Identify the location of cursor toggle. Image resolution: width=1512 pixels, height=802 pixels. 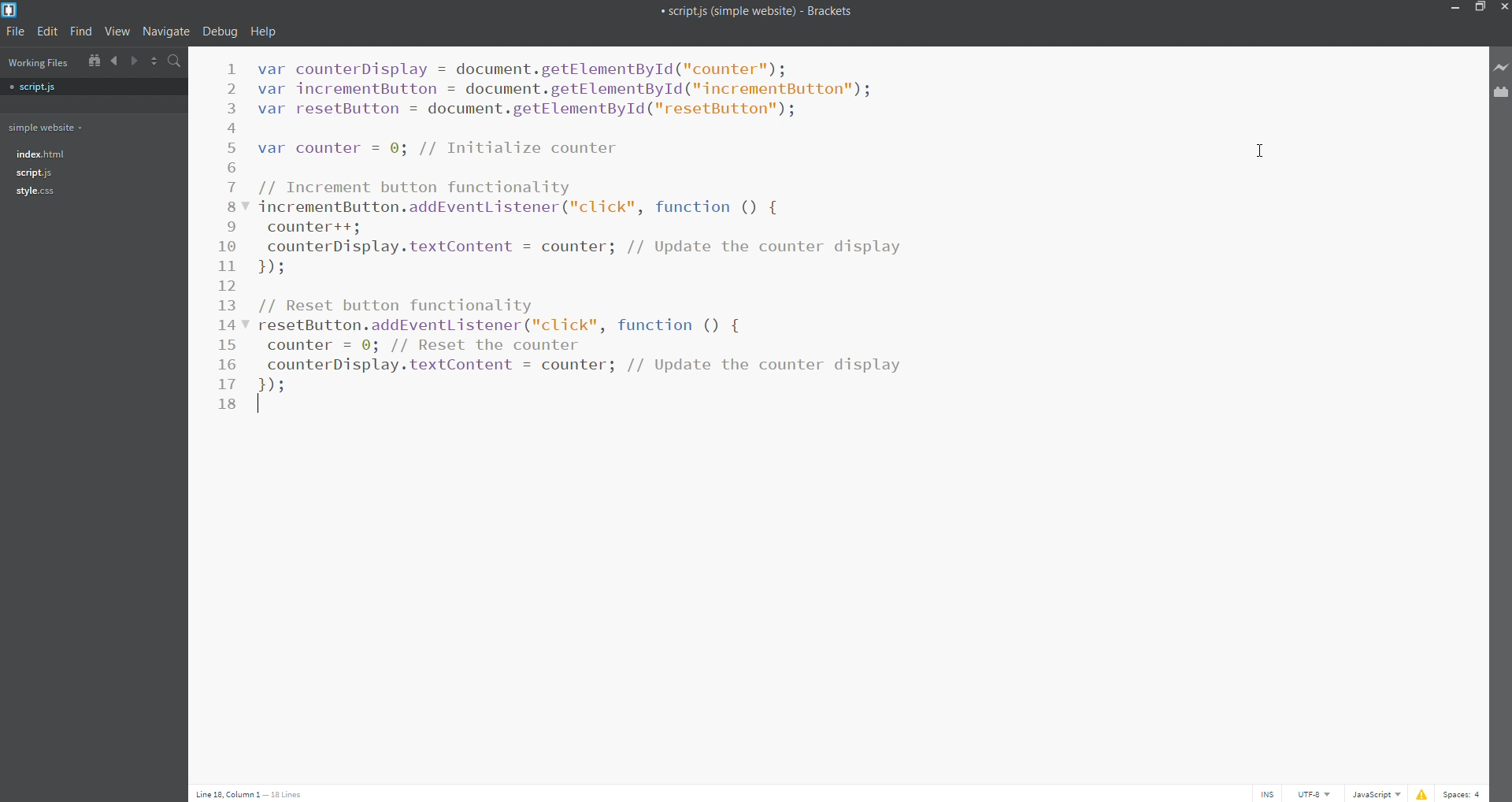
(1266, 793).